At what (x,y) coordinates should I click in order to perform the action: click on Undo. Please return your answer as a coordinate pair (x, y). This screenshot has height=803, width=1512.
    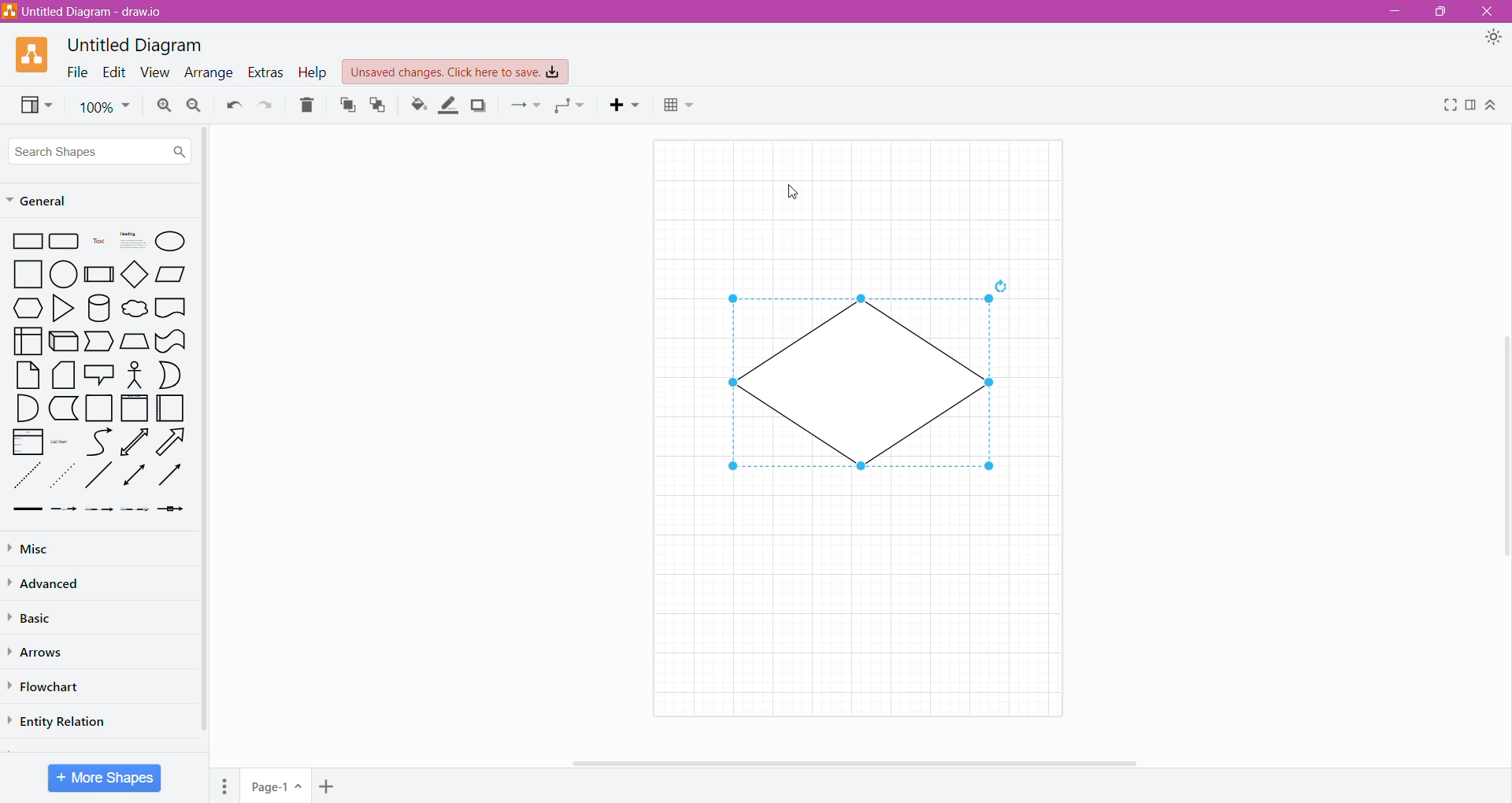
    Looking at the image, I should click on (232, 105).